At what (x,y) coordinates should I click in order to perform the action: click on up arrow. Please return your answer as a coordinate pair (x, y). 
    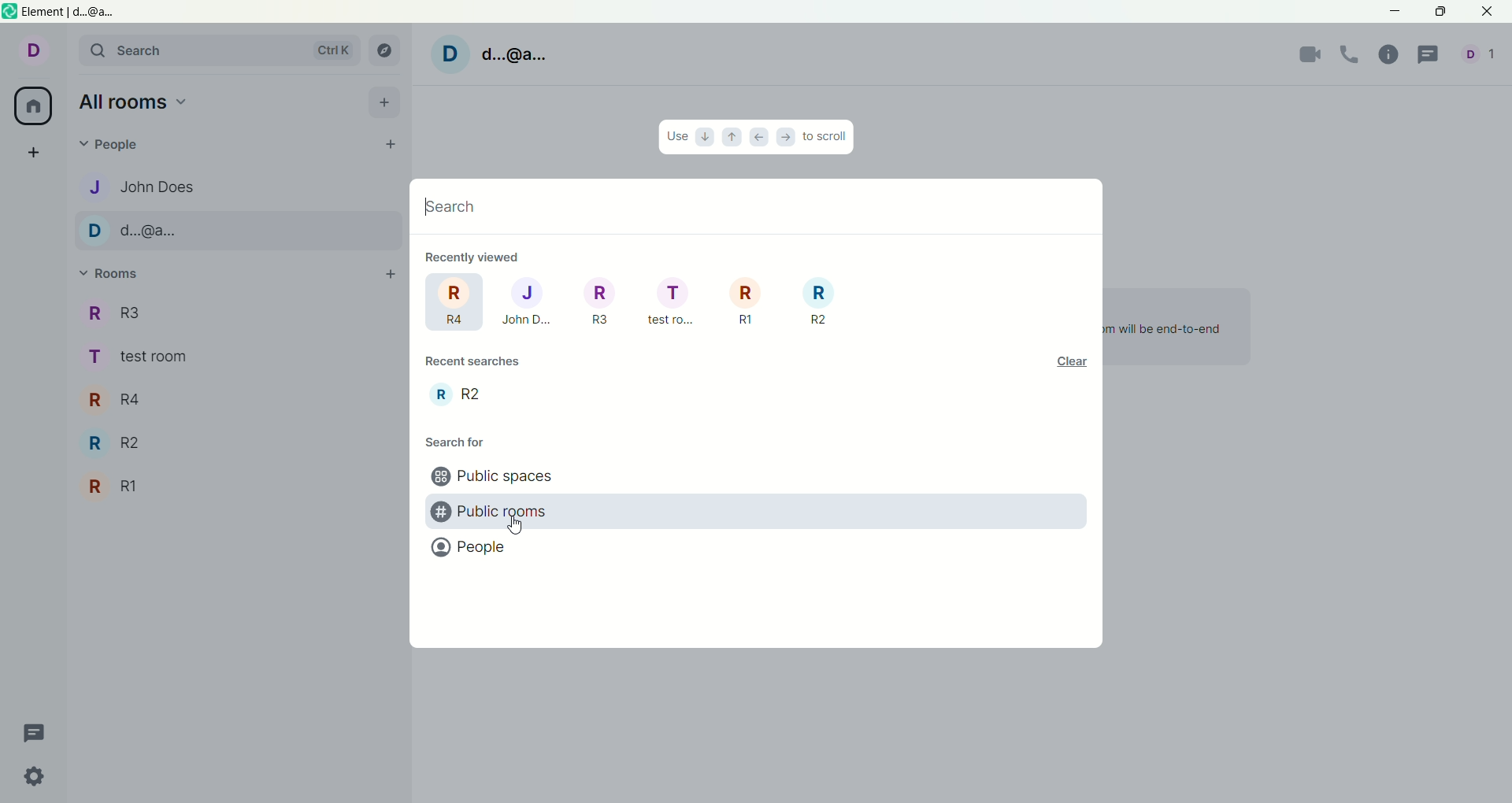
    Looking at the image, I should click on (729, 139).